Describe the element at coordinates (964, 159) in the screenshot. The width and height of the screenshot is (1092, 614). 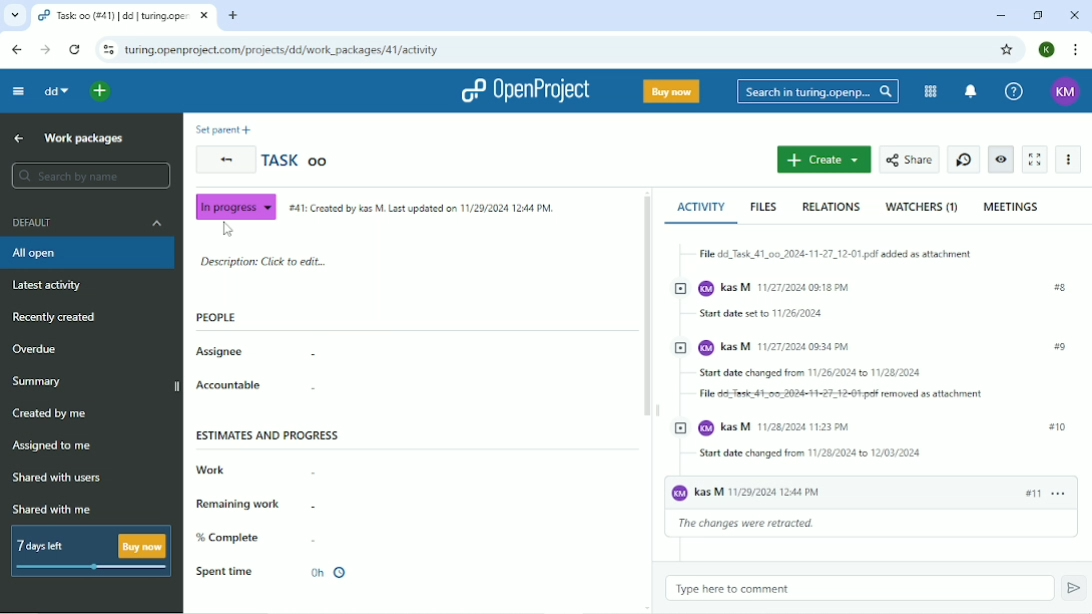
I see `Start new timer` at that location.